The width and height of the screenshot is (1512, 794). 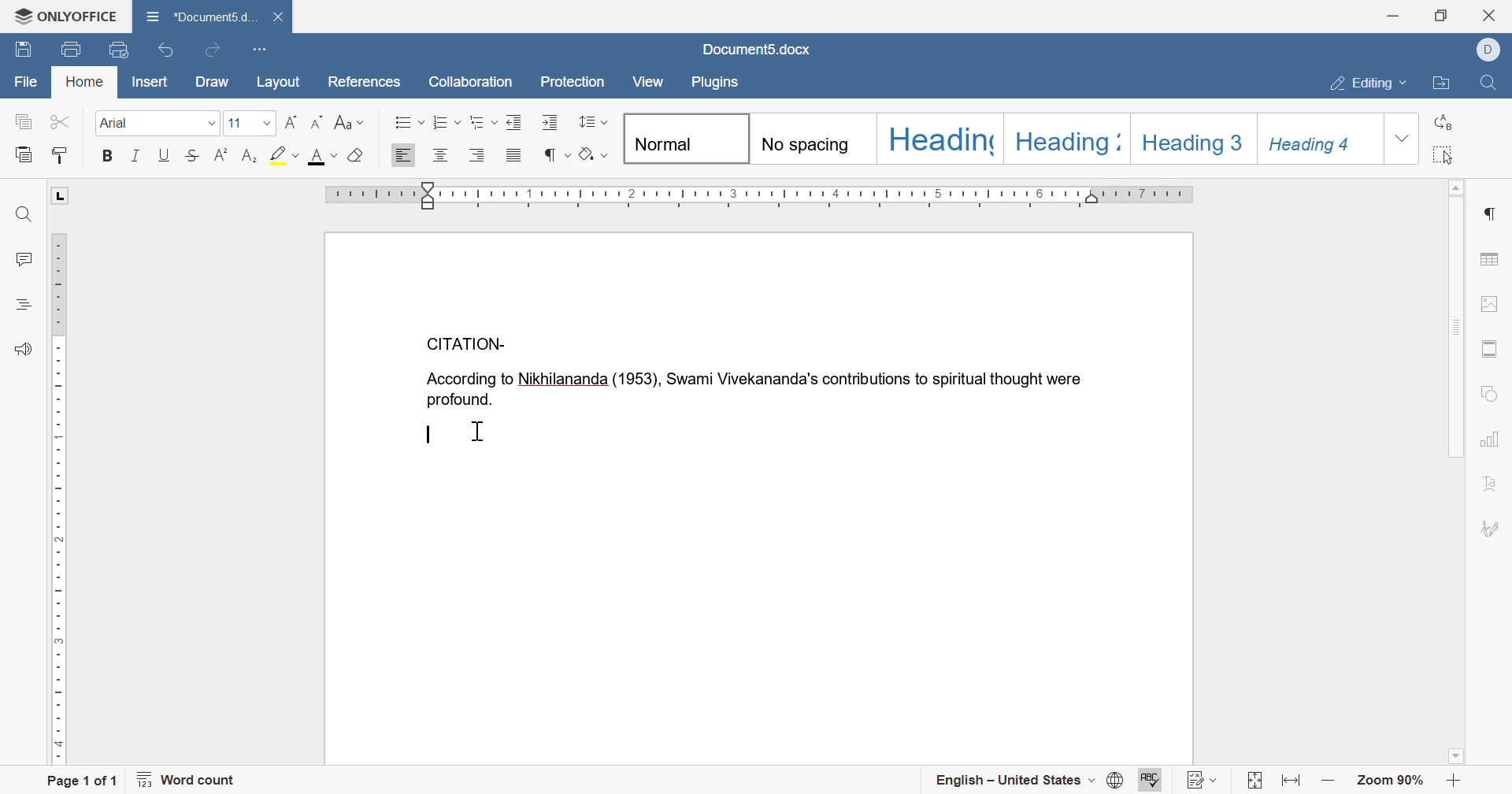 What do you see at coordinates (548, 123) in the screenshot?
I see `increase indent` at bounding box center [548, 123].